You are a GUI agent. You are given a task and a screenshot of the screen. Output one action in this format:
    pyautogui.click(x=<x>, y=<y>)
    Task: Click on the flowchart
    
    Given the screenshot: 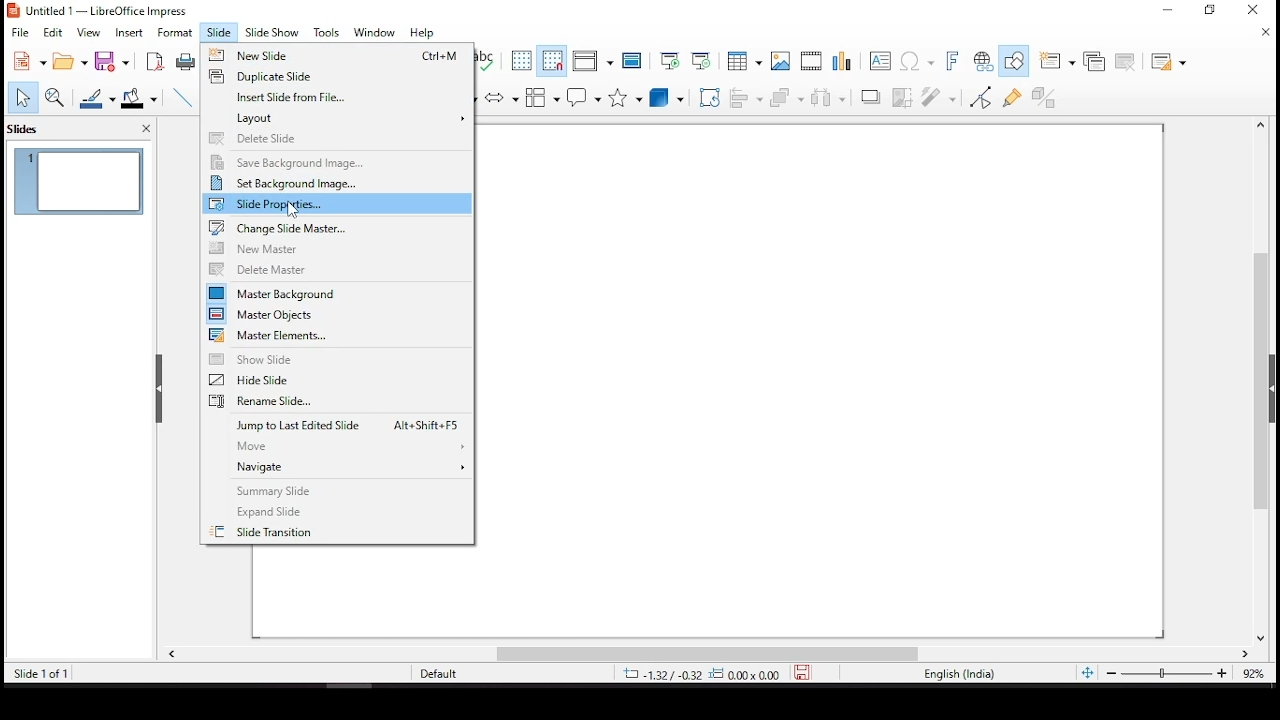 What is the action you would take?
    pyautogui.click(x=544, y=95)
    